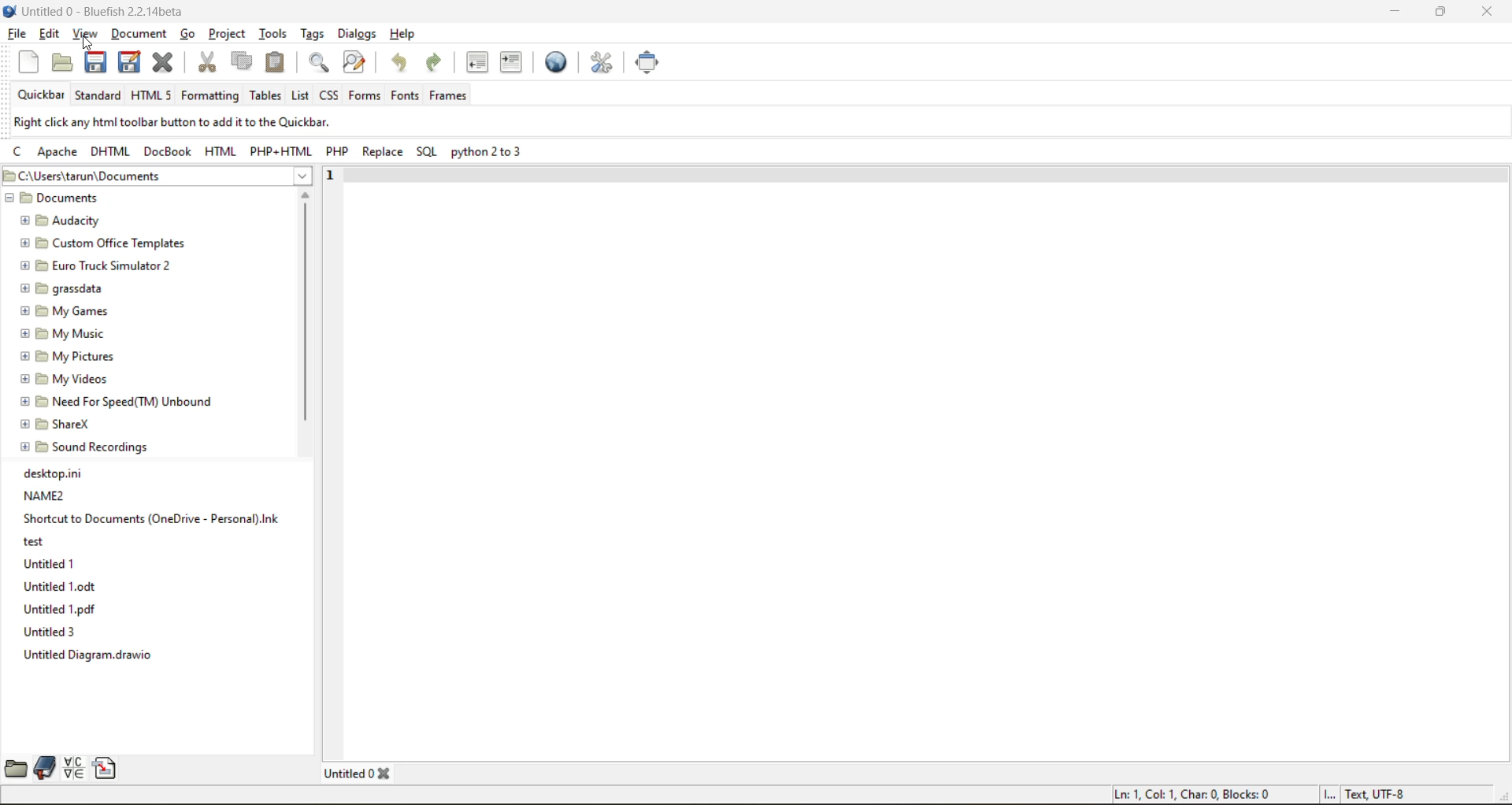 The image size is (1512, 805). I want to click on vertical scroll  bar, so click(305, 308).